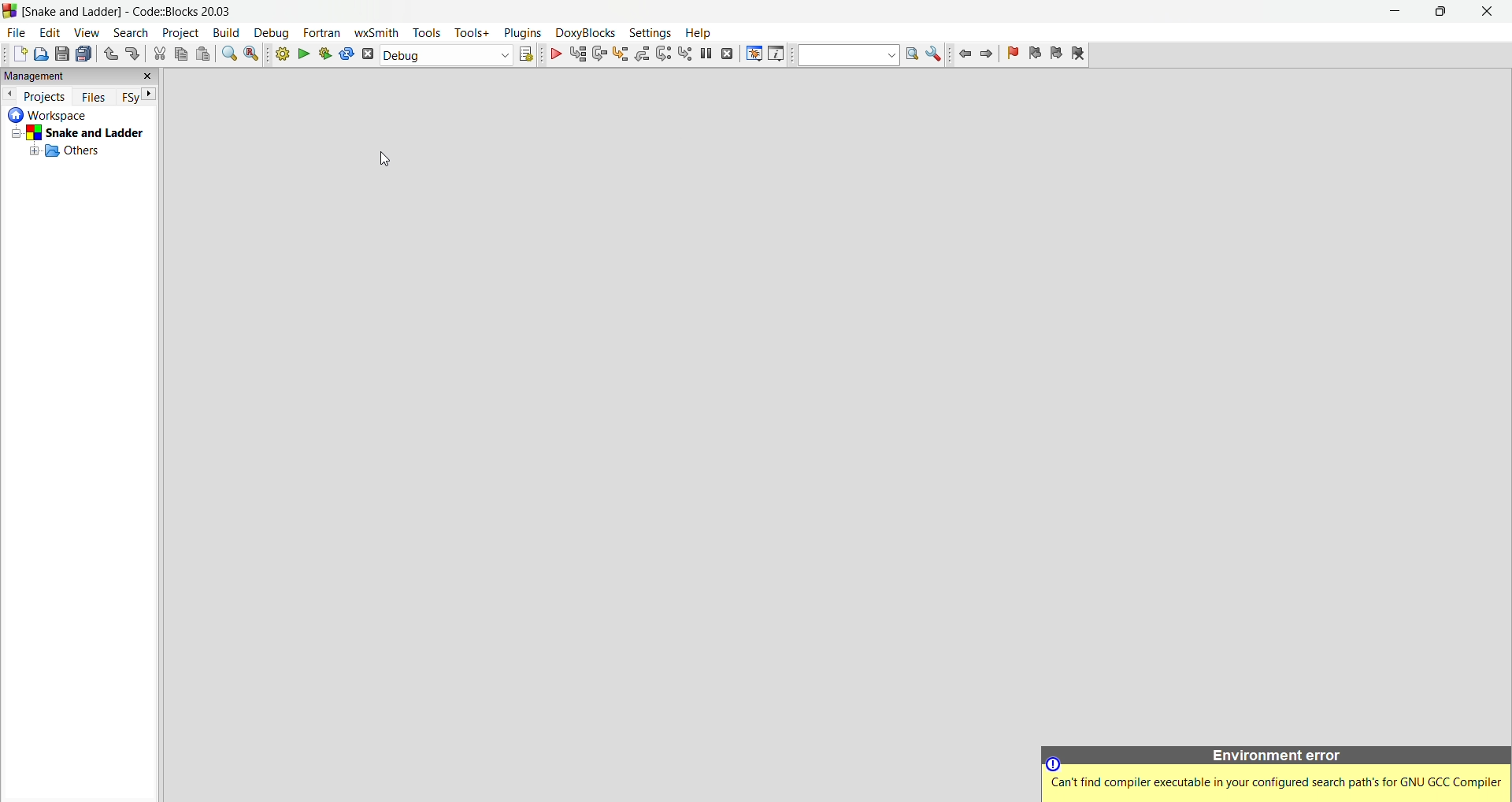 Image resolution: width=1512 pixels, height=802 pixels. I want to click on Can't find compiler executable in your configured search paths for GNU GCC Compiler, so click(1273, 782).